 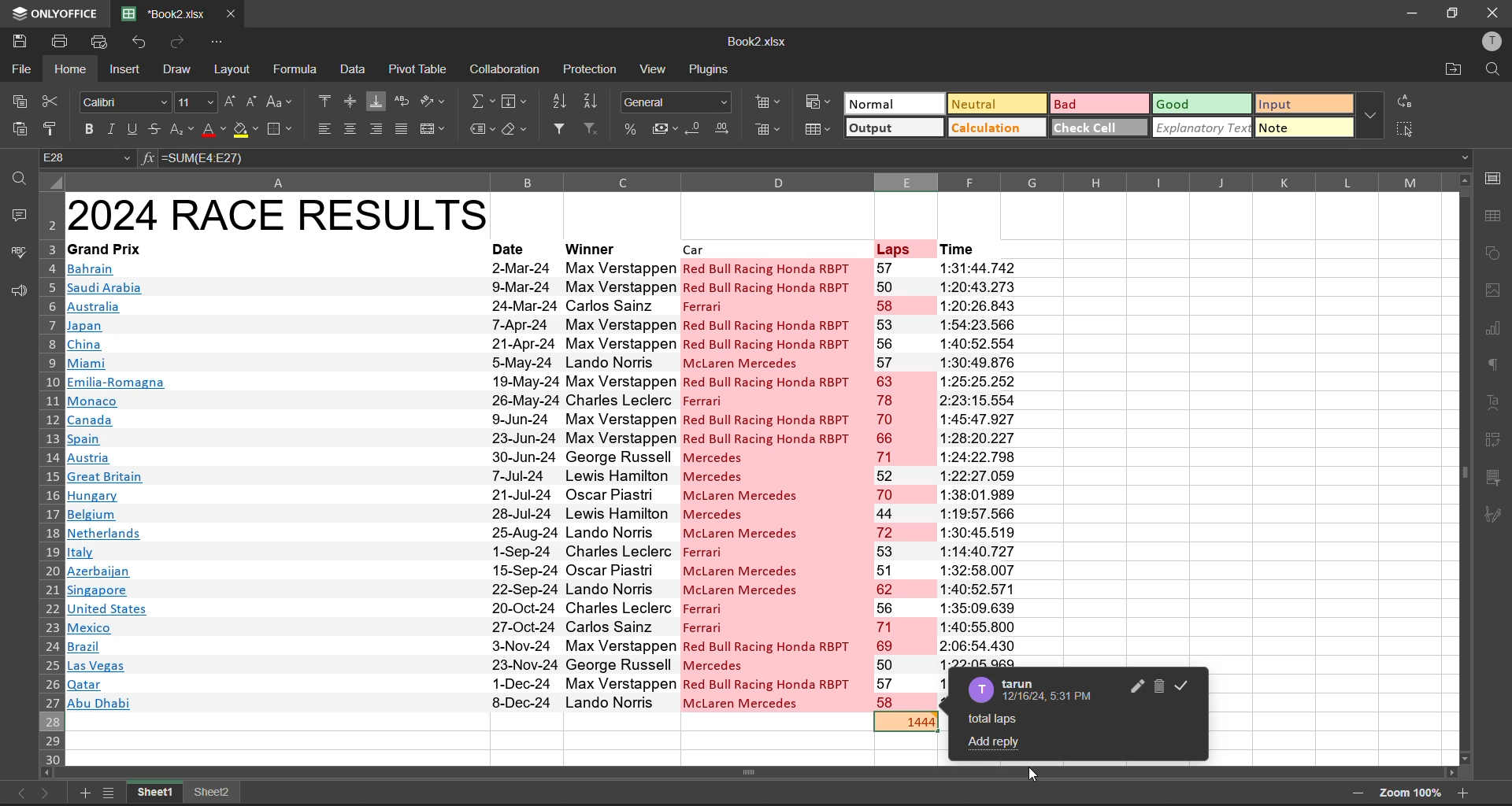 What do you see at coordinates (1135, 686) in the screenshot?
I see `edit` at bounding box center [1135, 686].